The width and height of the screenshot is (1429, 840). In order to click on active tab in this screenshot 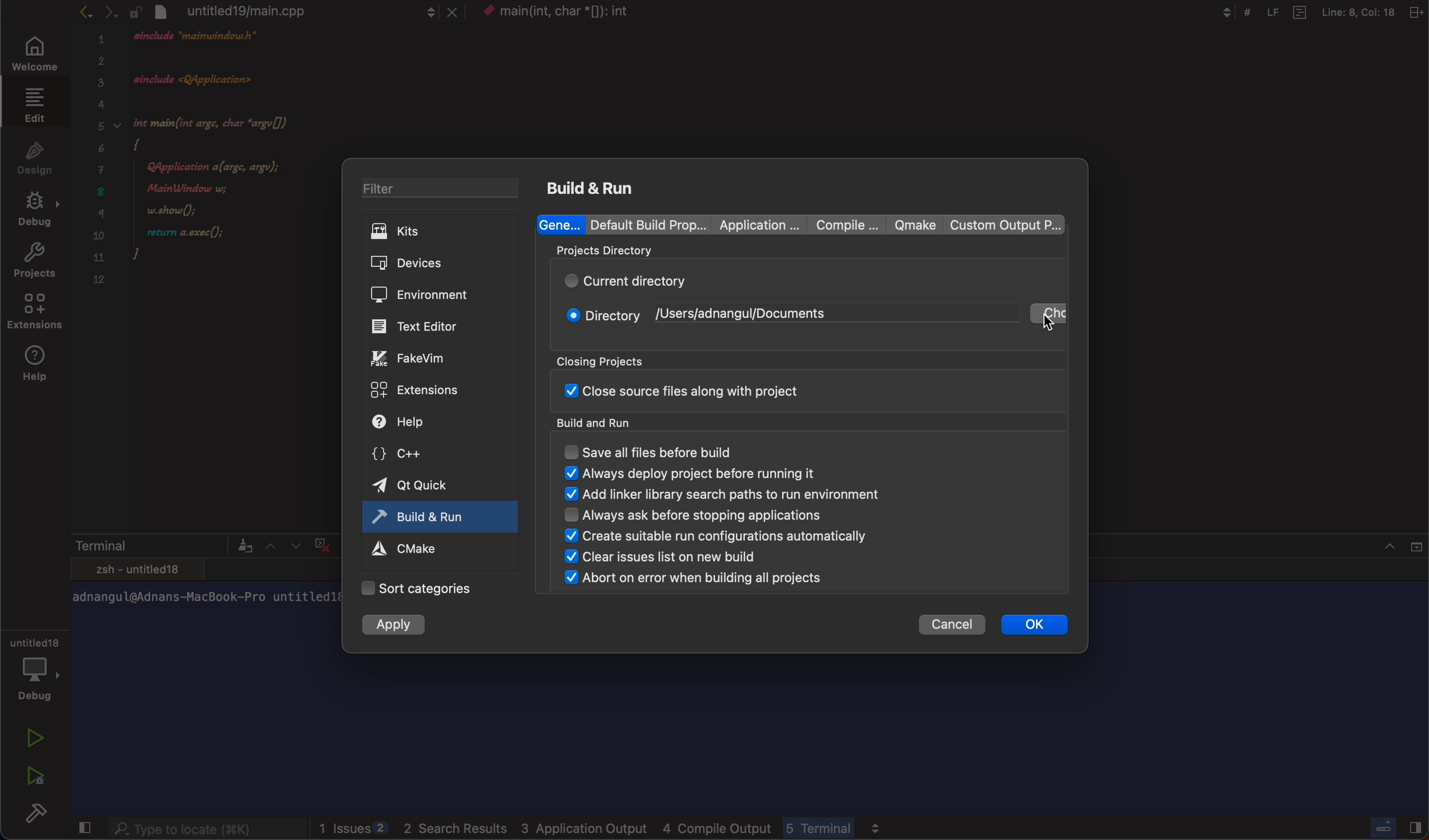, I will do `click(445, 517)`.